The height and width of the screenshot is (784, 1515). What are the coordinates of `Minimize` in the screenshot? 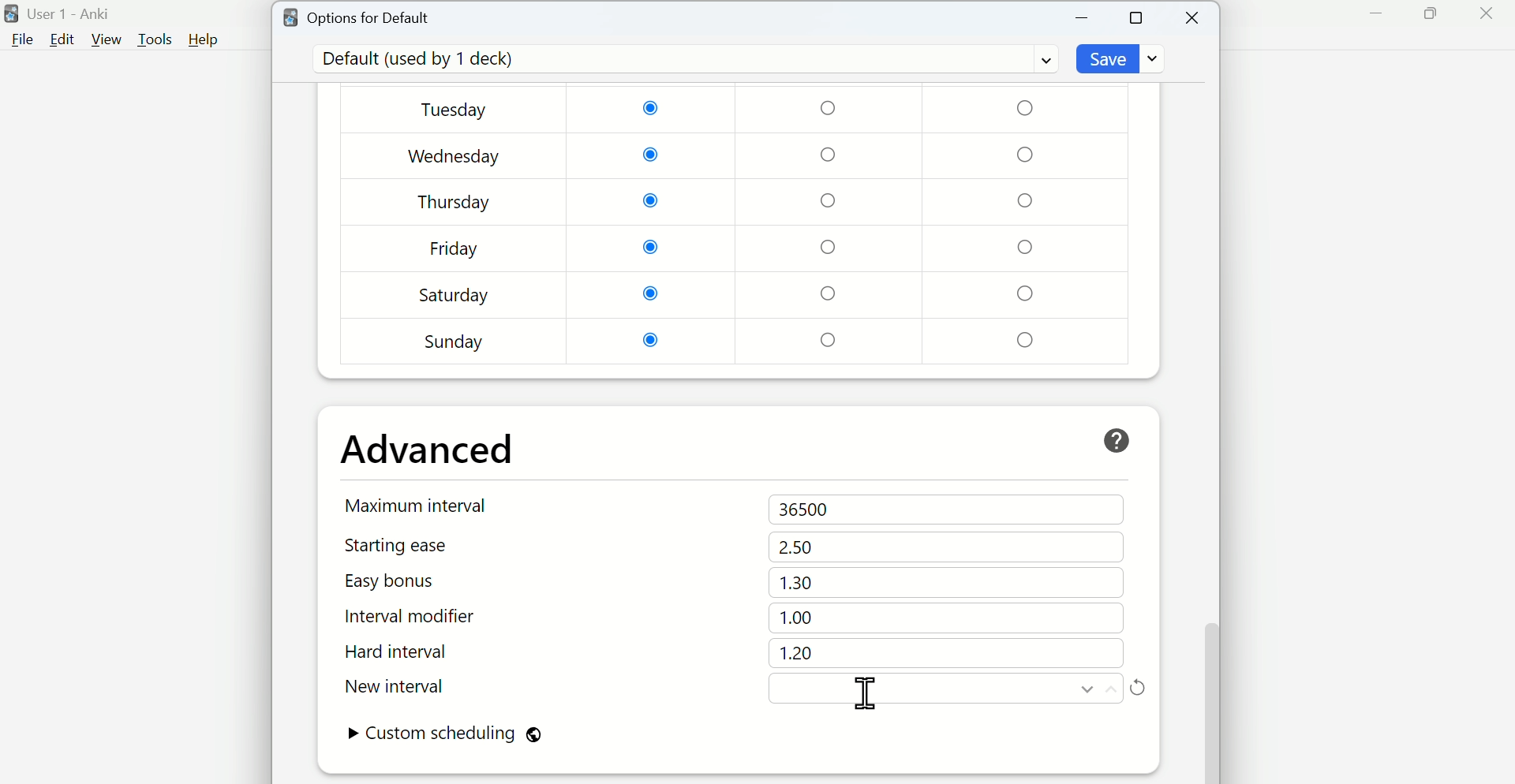 It's located at (1377, 14).